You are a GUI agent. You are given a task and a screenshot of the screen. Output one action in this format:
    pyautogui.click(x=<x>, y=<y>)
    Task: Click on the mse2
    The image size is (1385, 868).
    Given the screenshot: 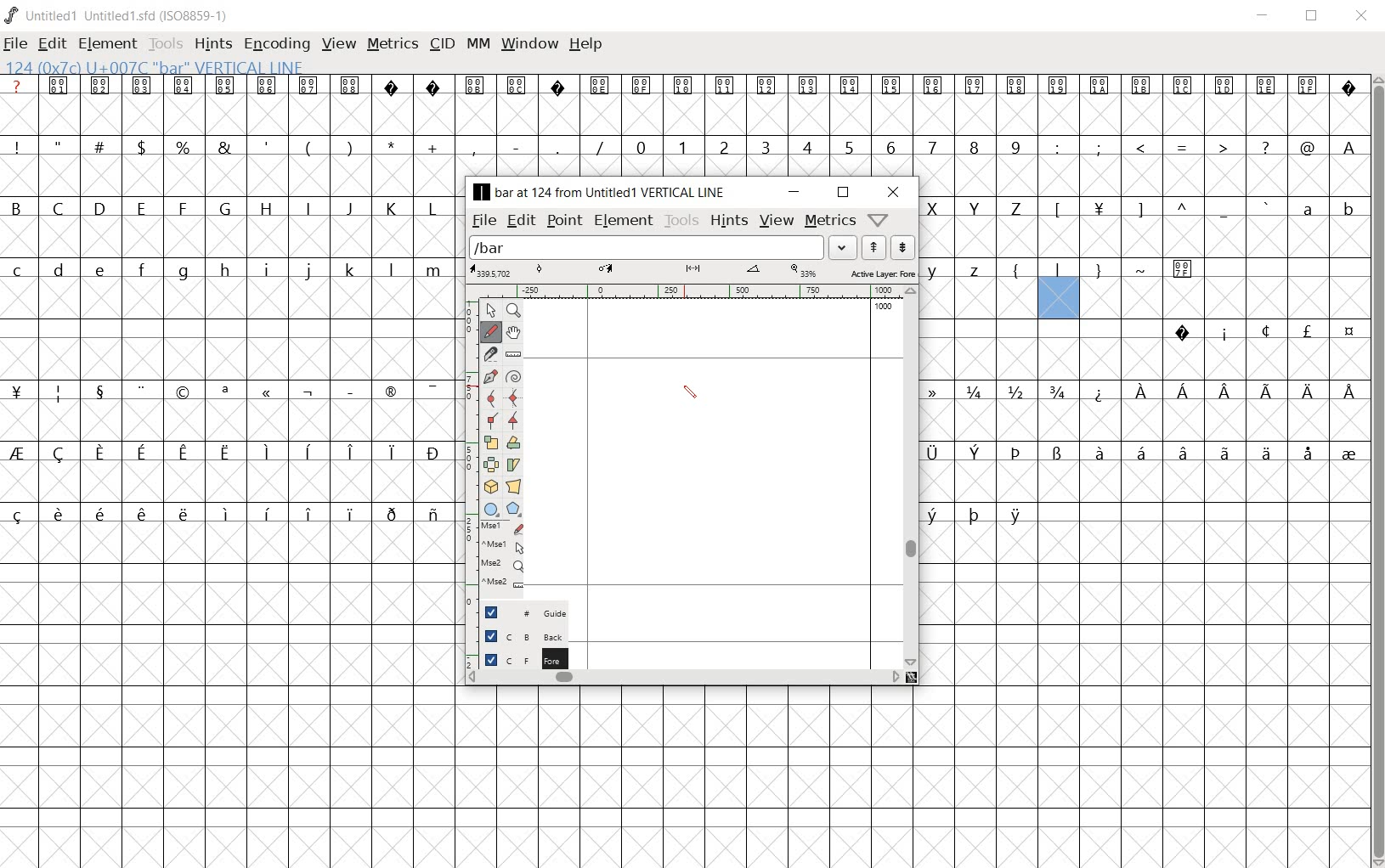 What is the action you would take?
    pyautogui.click(x=495, y=566)
    